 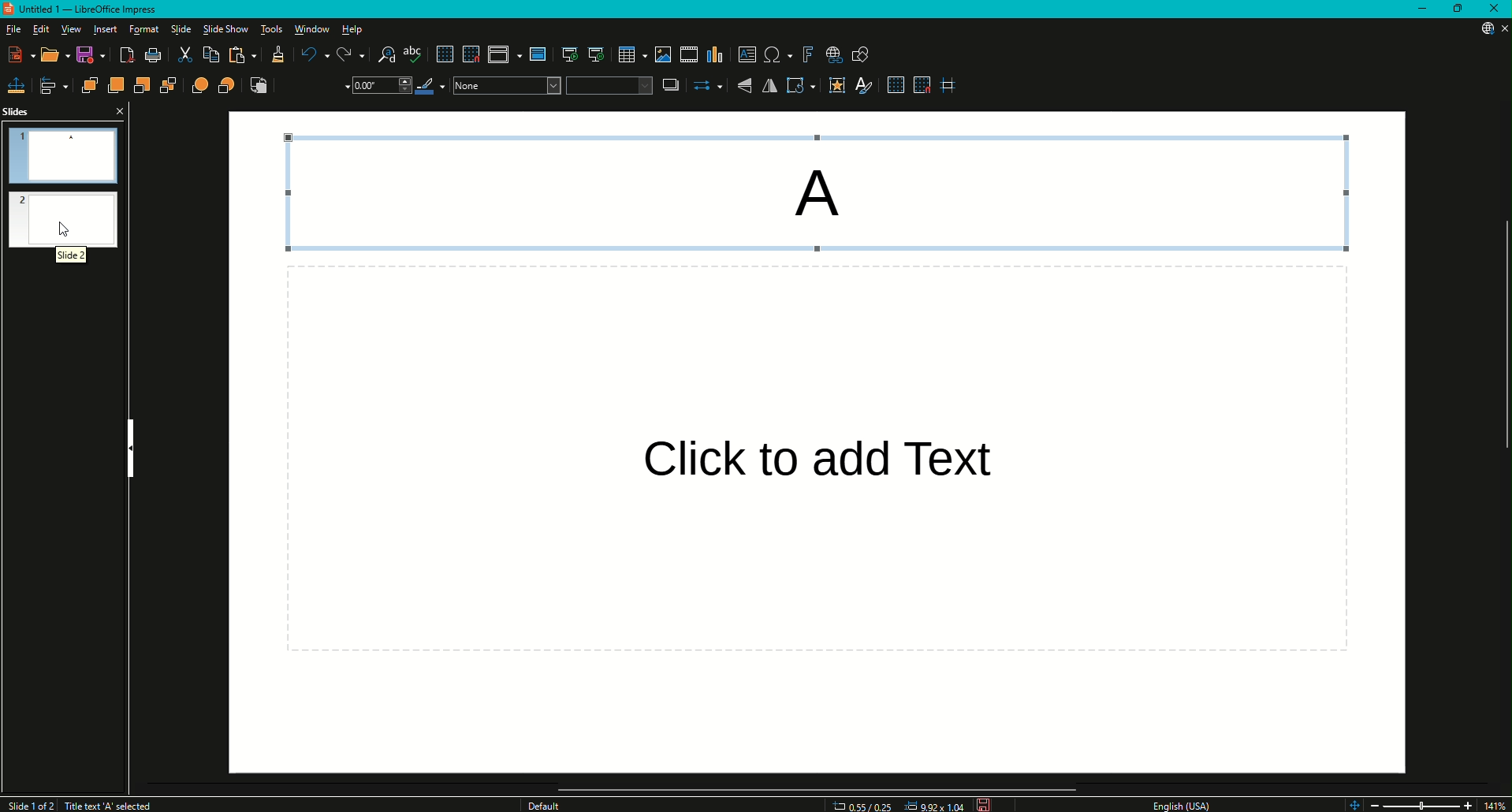 What do you see at coordinates (412, 54) in the screenshot?
I see `Spelling` at bounding box center [412, 54].